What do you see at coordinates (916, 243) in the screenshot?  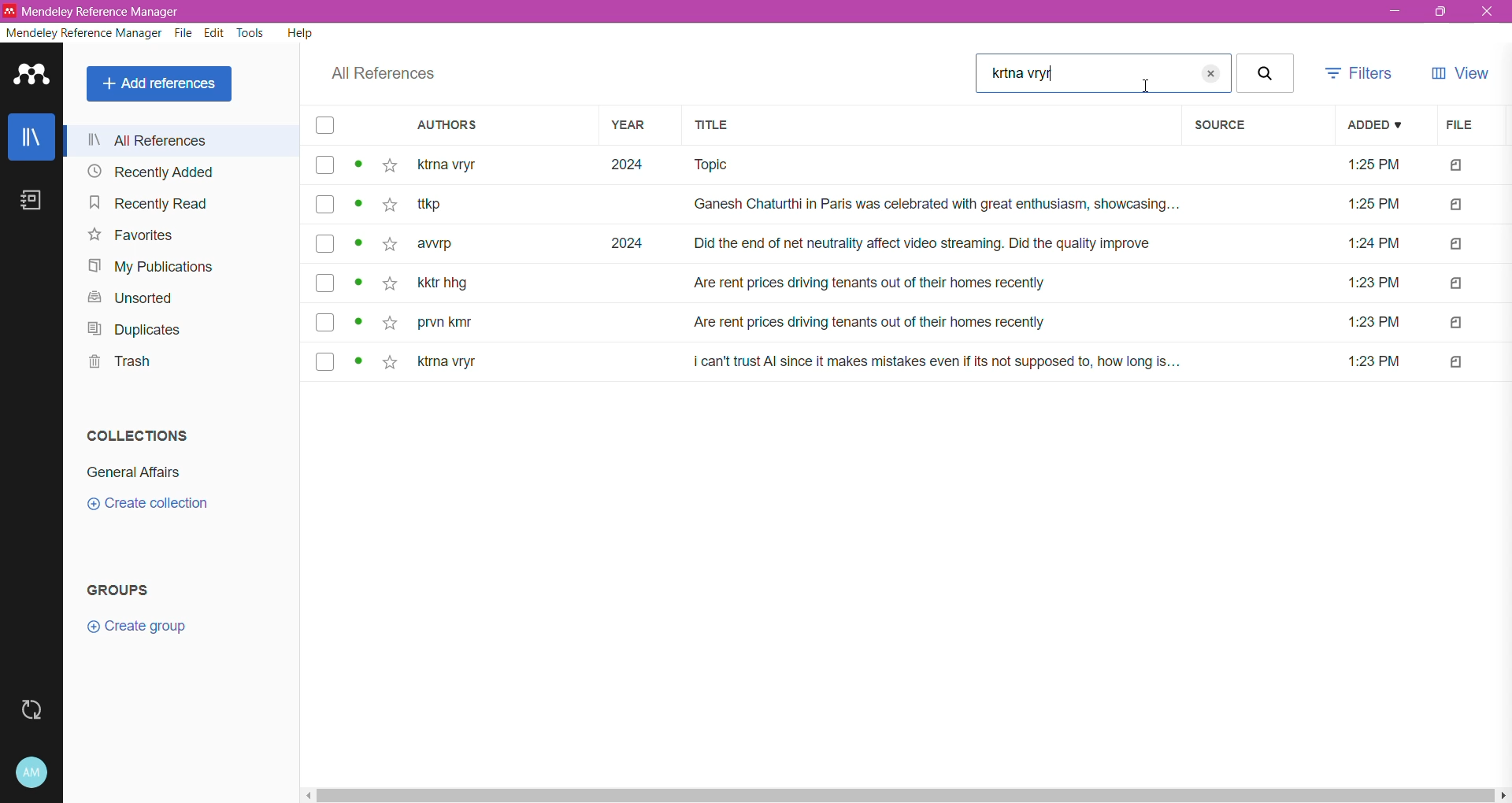 I see `7 aw 2024 Did the end of net neutrality affect video streaming. Did the quality improve 1:24 PM` at bounding box center [916, 243].